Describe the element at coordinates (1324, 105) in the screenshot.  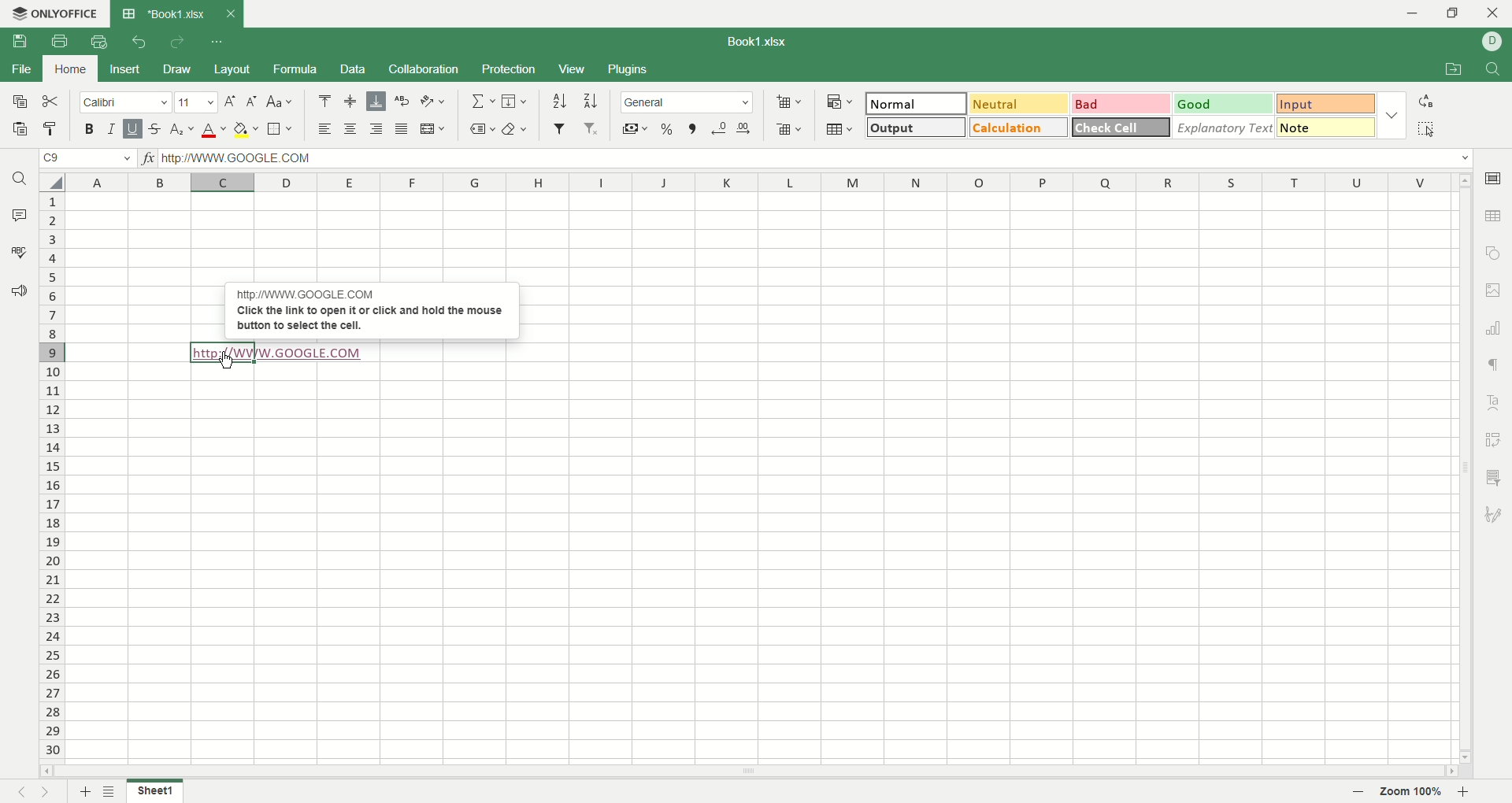
I see `input` at that location.